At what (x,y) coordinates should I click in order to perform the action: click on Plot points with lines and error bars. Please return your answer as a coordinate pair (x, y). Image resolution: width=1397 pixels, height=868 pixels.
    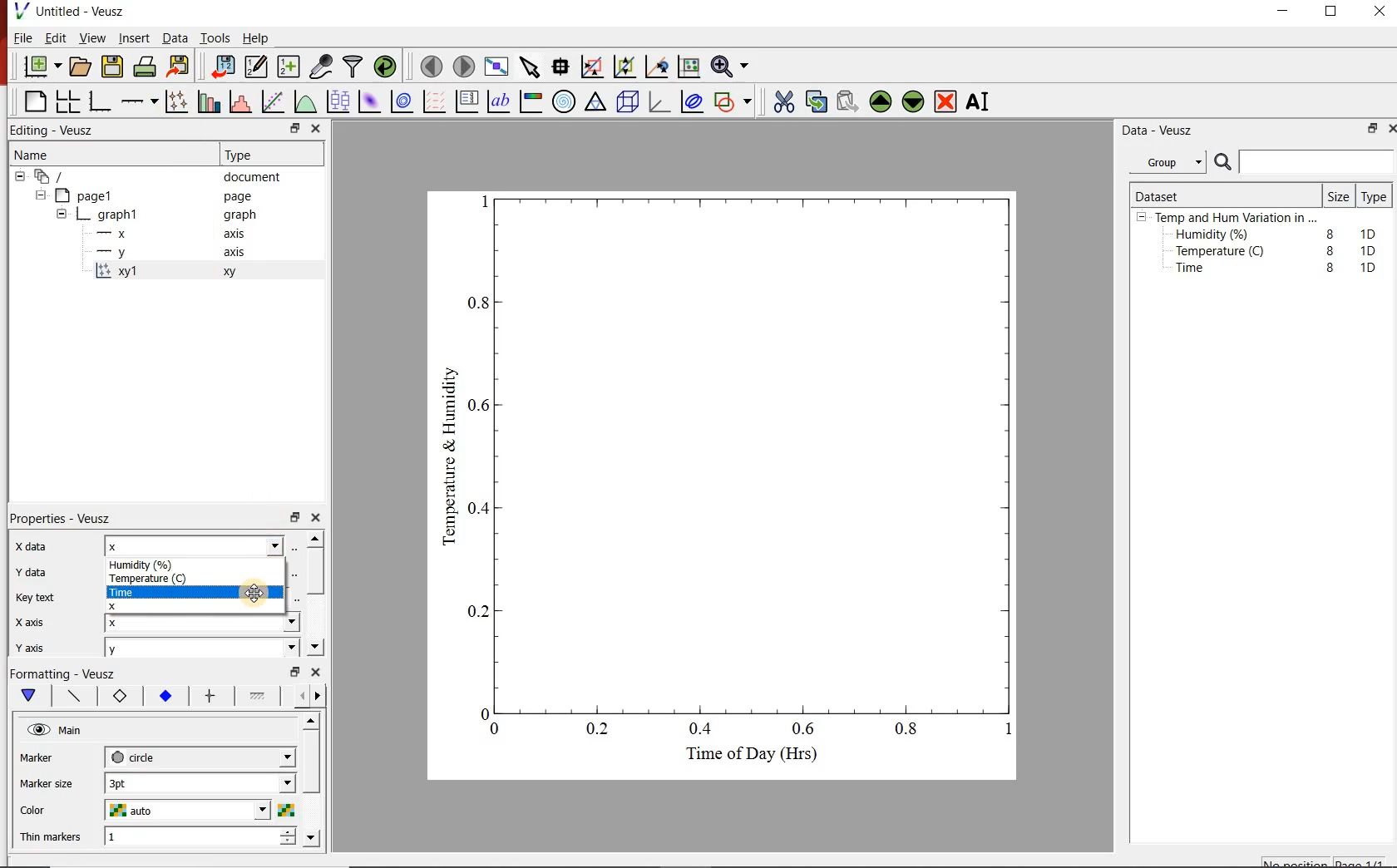
    Looking at the image, I should click on (176, 100).